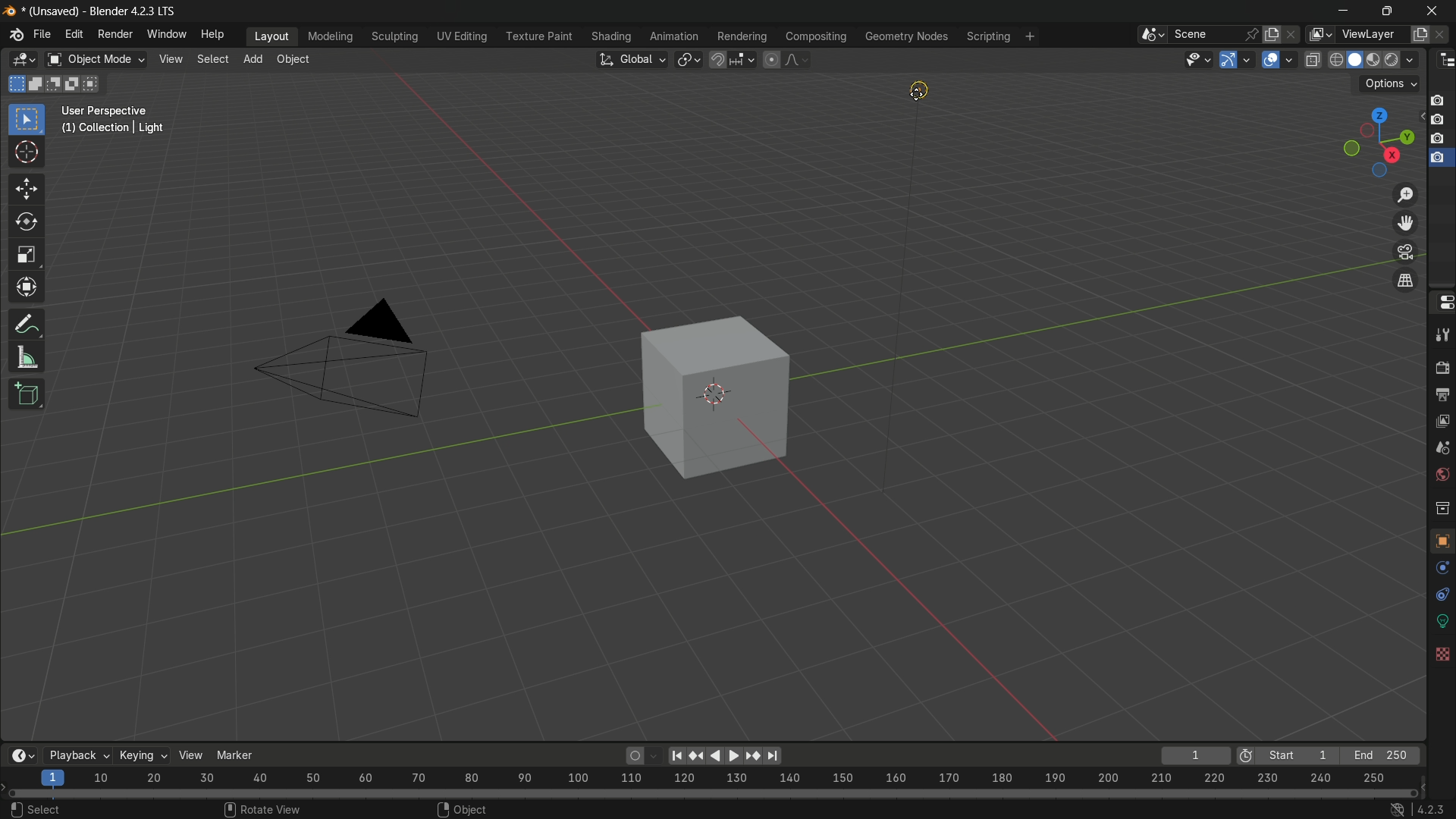 The width and height of the screenshot is (1456, 819). I want to click on proportional editing object, so click(771, 60).